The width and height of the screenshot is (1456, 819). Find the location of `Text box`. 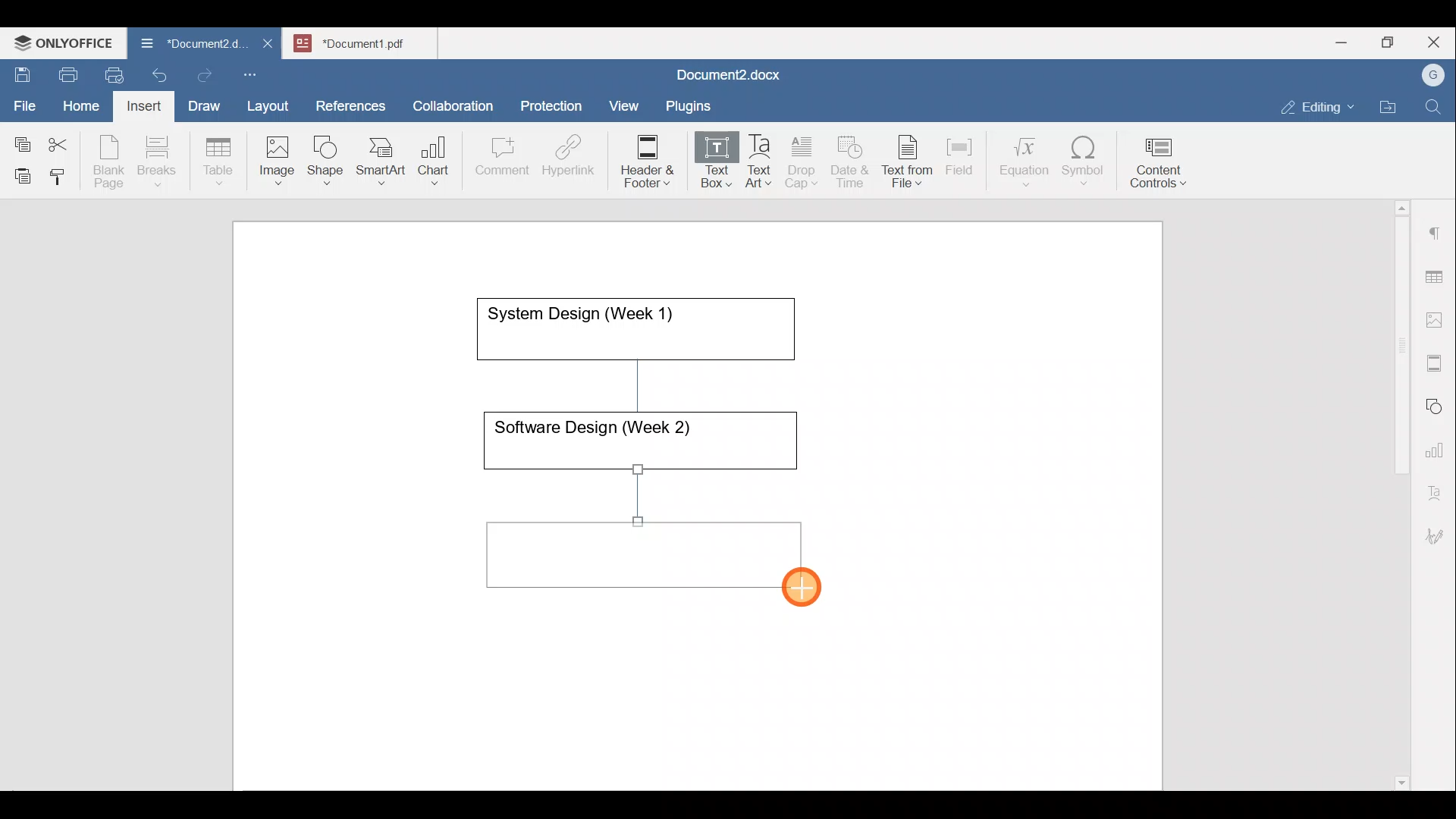

Text box is located at coordinates (706, 162).